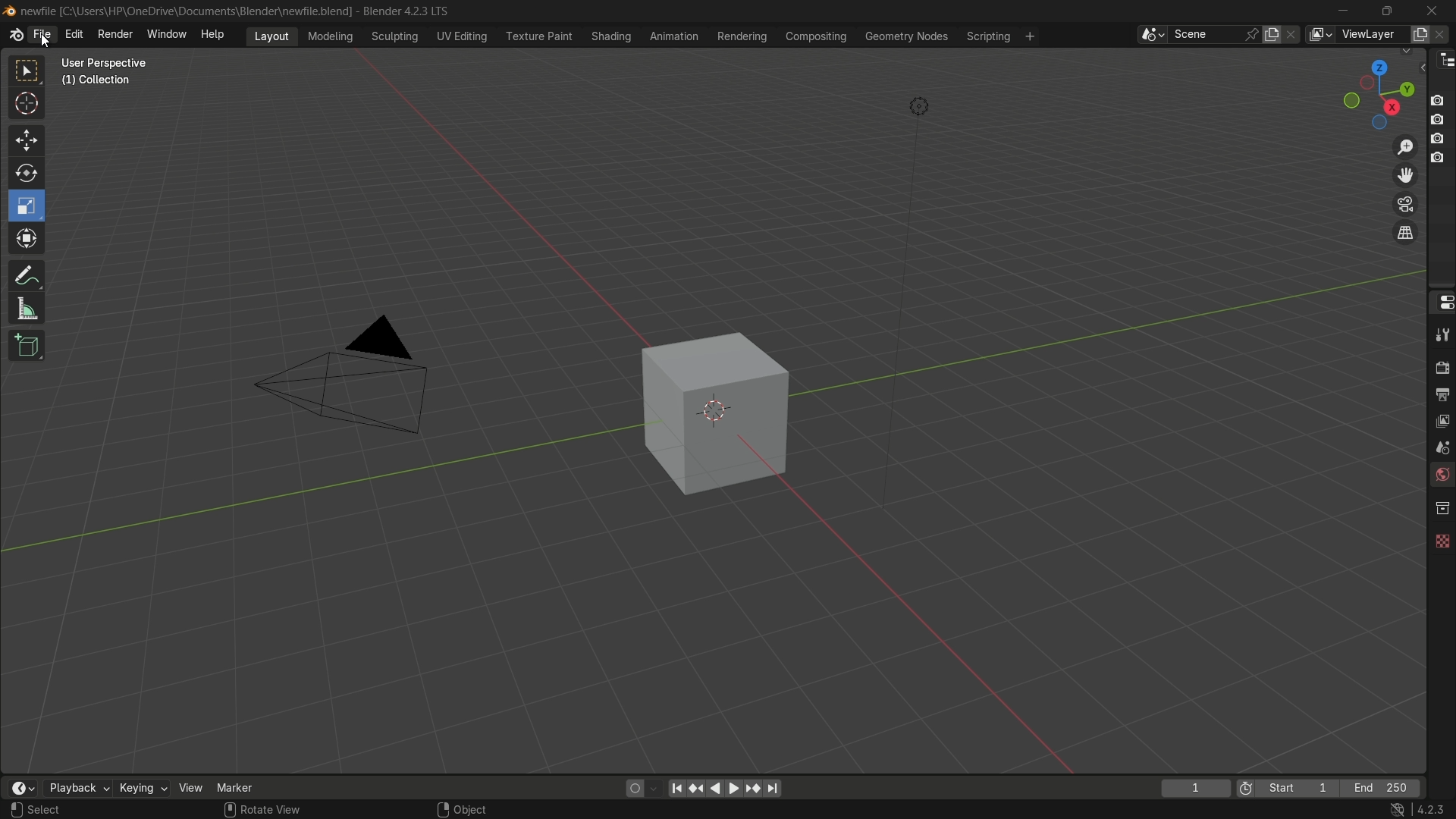 Image resolution: width=1456 pixels, height=819 pixels. Describe the element at coordinates (29, 206) in the screenshot. I see `scale` at that location.